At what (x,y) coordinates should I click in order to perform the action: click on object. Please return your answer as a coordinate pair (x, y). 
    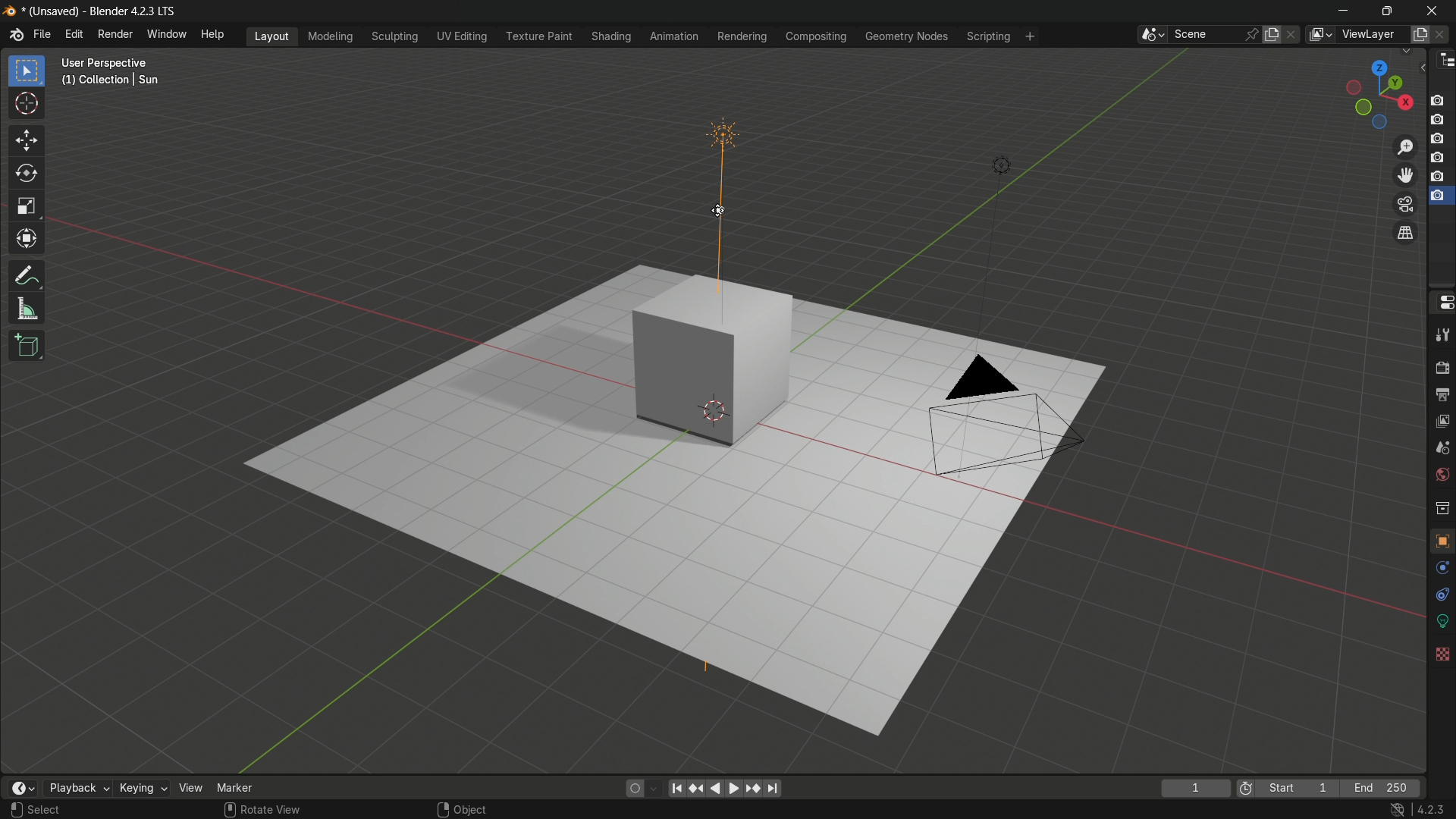
    Looking at the image, I should click on (1442, 537).